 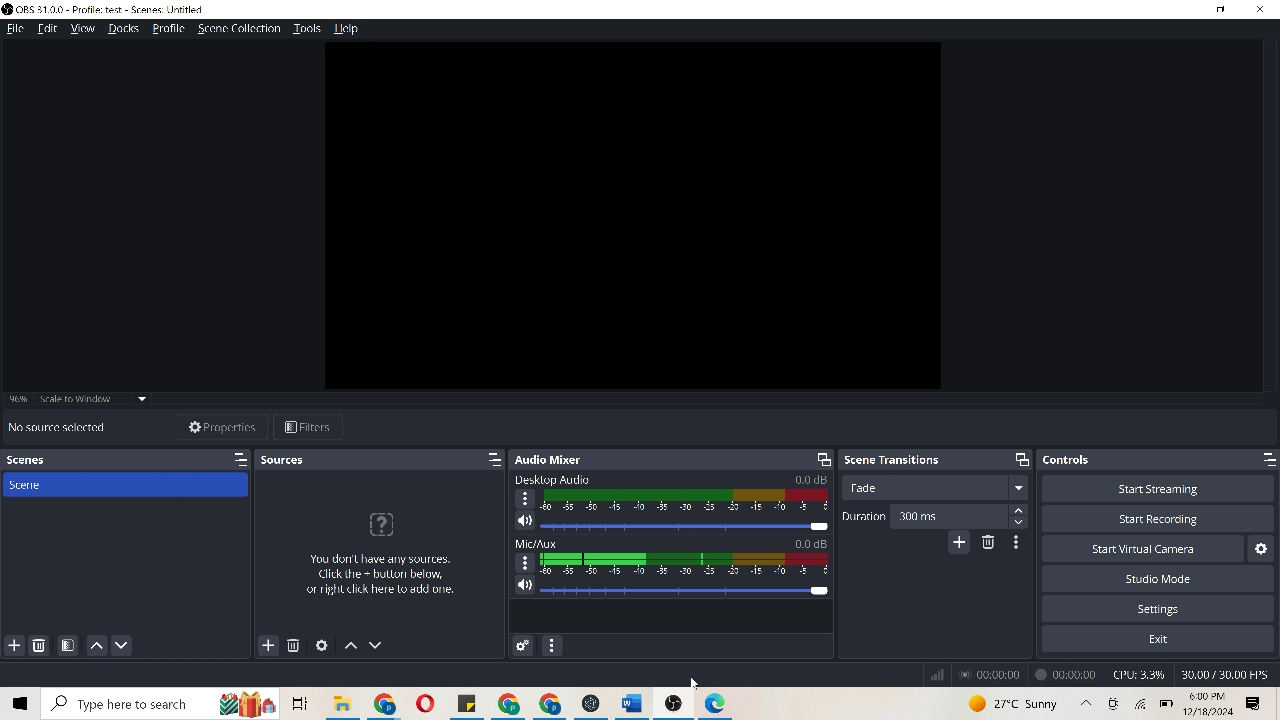 I want to click on transition properties, so click(x=1013, y=542).